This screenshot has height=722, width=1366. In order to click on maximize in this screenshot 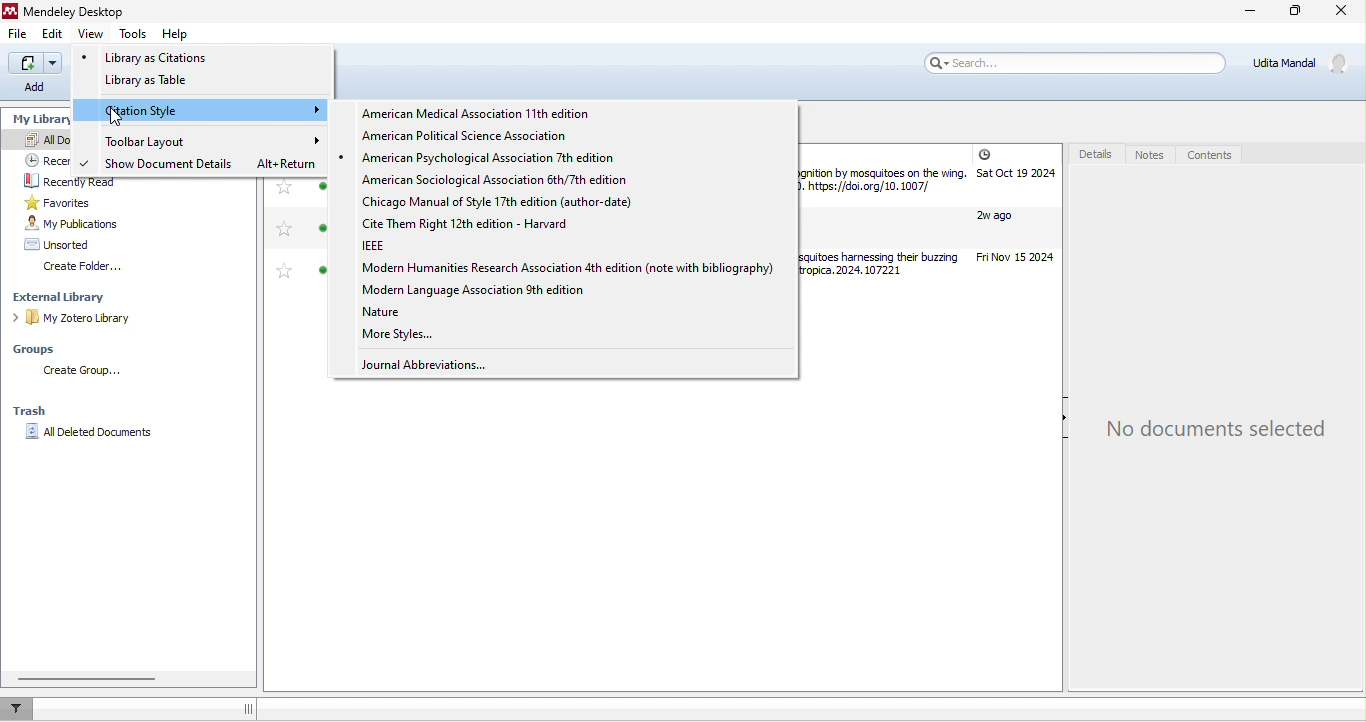, I will do `click(1295, 14)`.